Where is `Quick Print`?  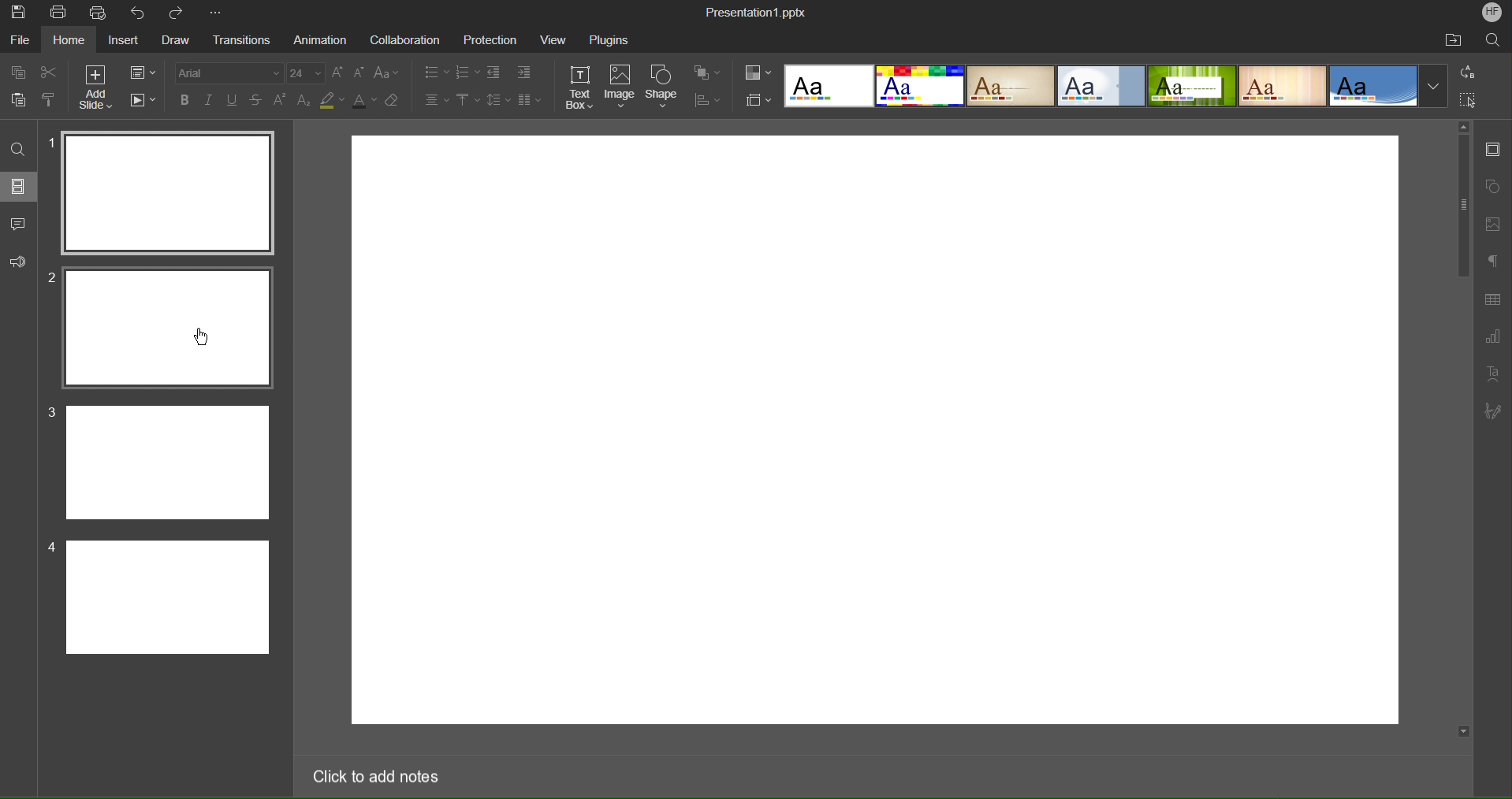
Quick Print is located at coordinates (100, 13).